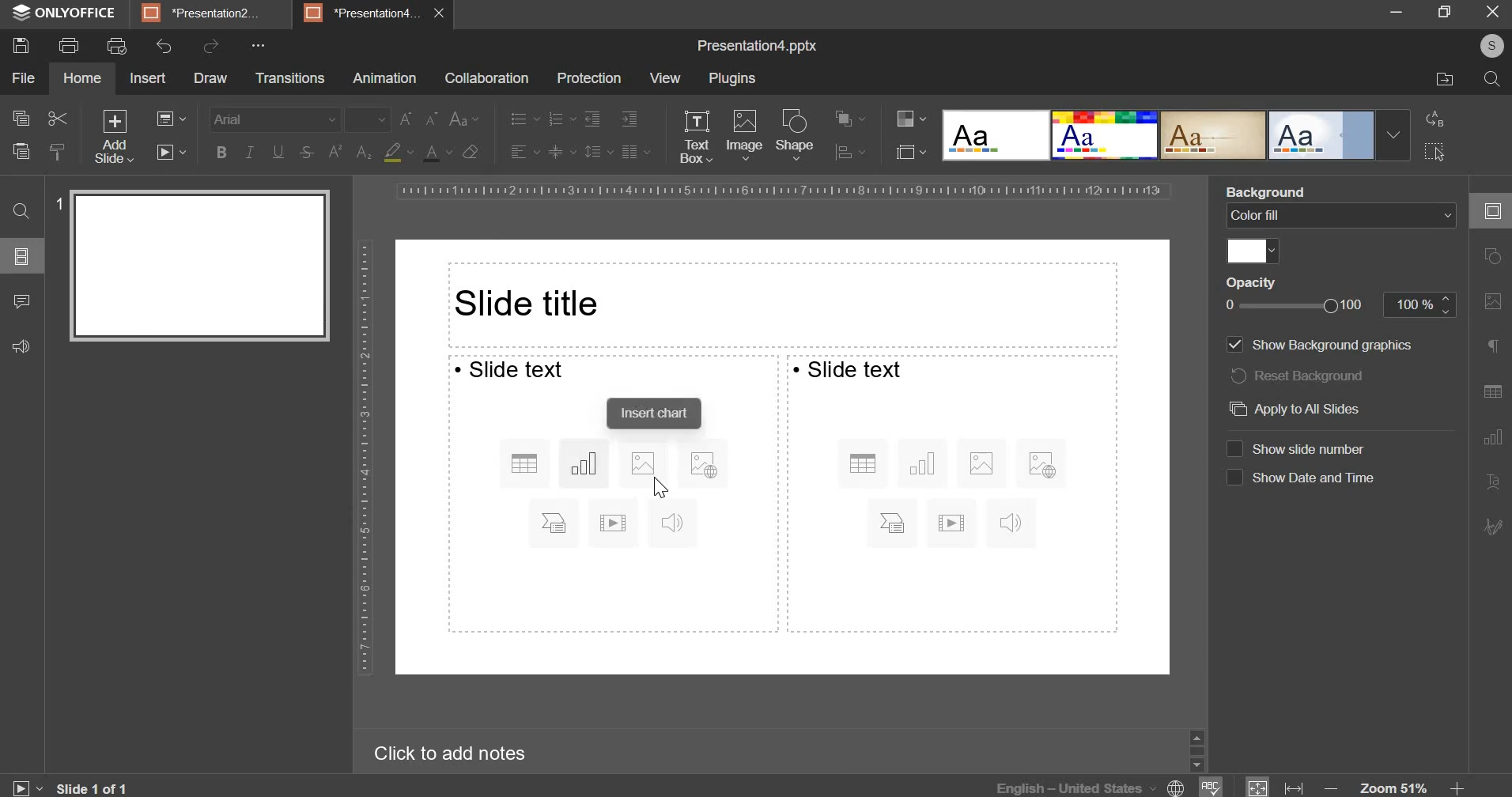 The image size is (1512, 797). I want to click on zoom 51%, so click(1393, 788).